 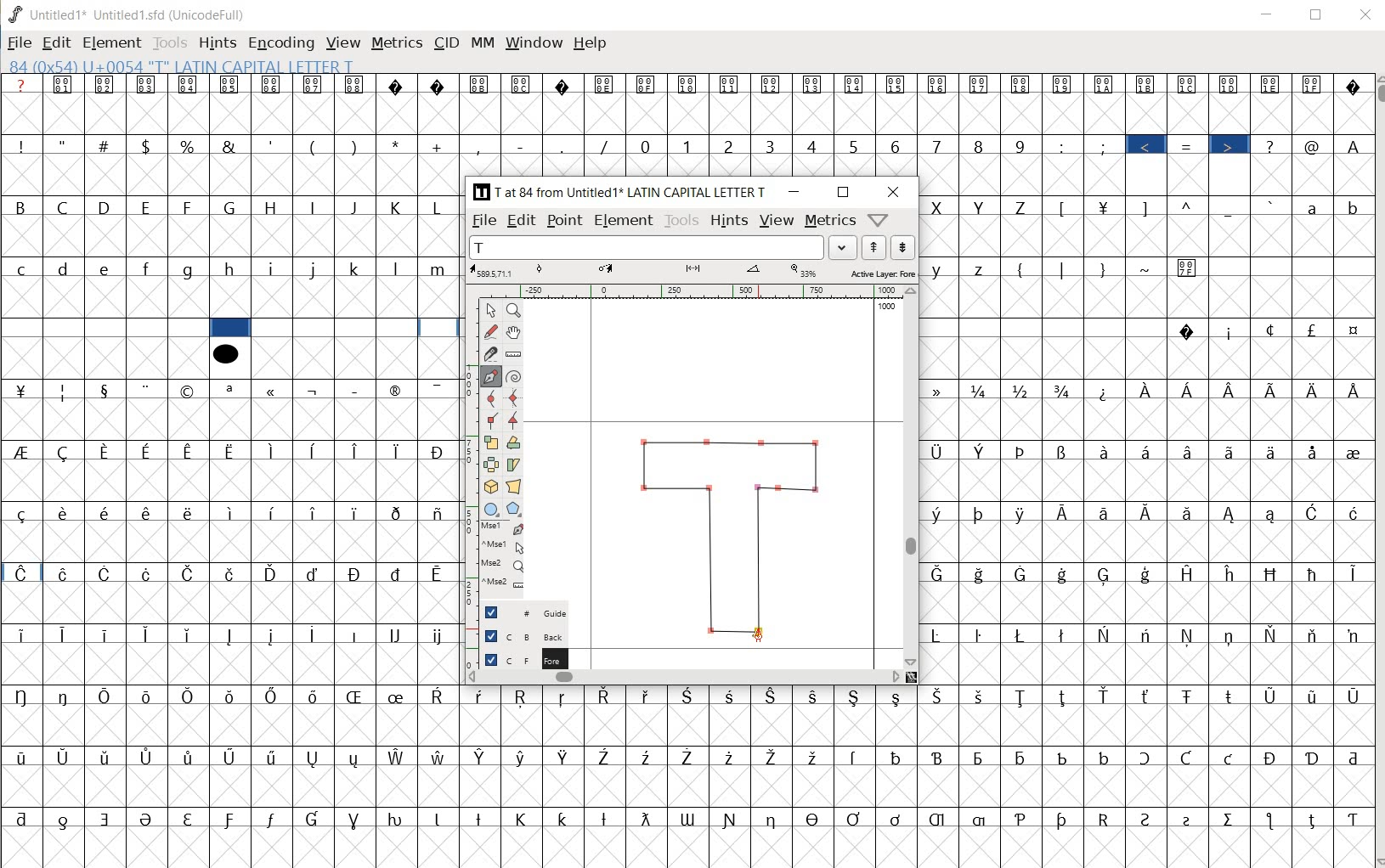 What do you see at coordinates (897, 697) in the screenshot?
I see `Symbol` at bounding box center [897, 697].